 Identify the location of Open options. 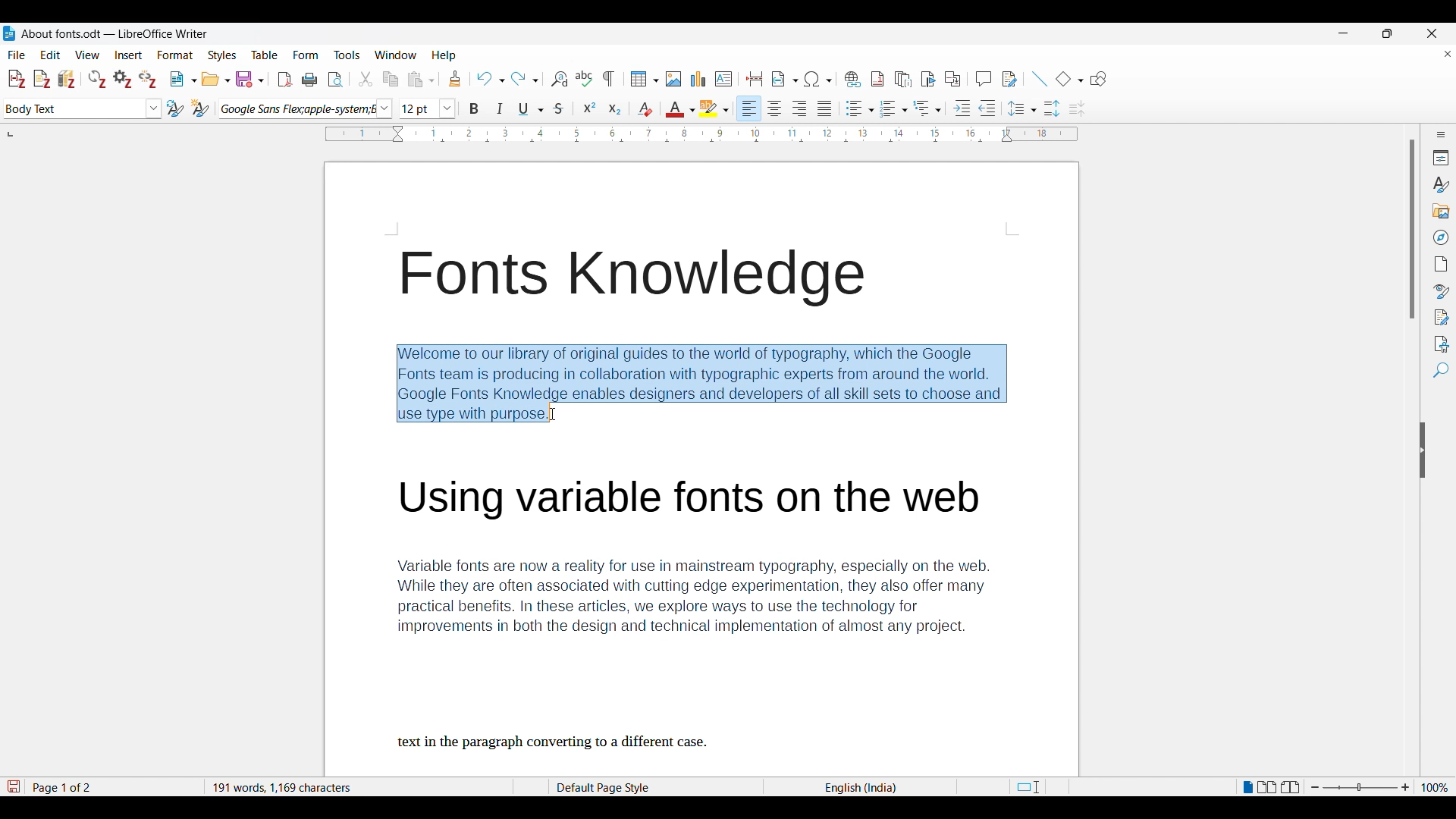
(215, 79).